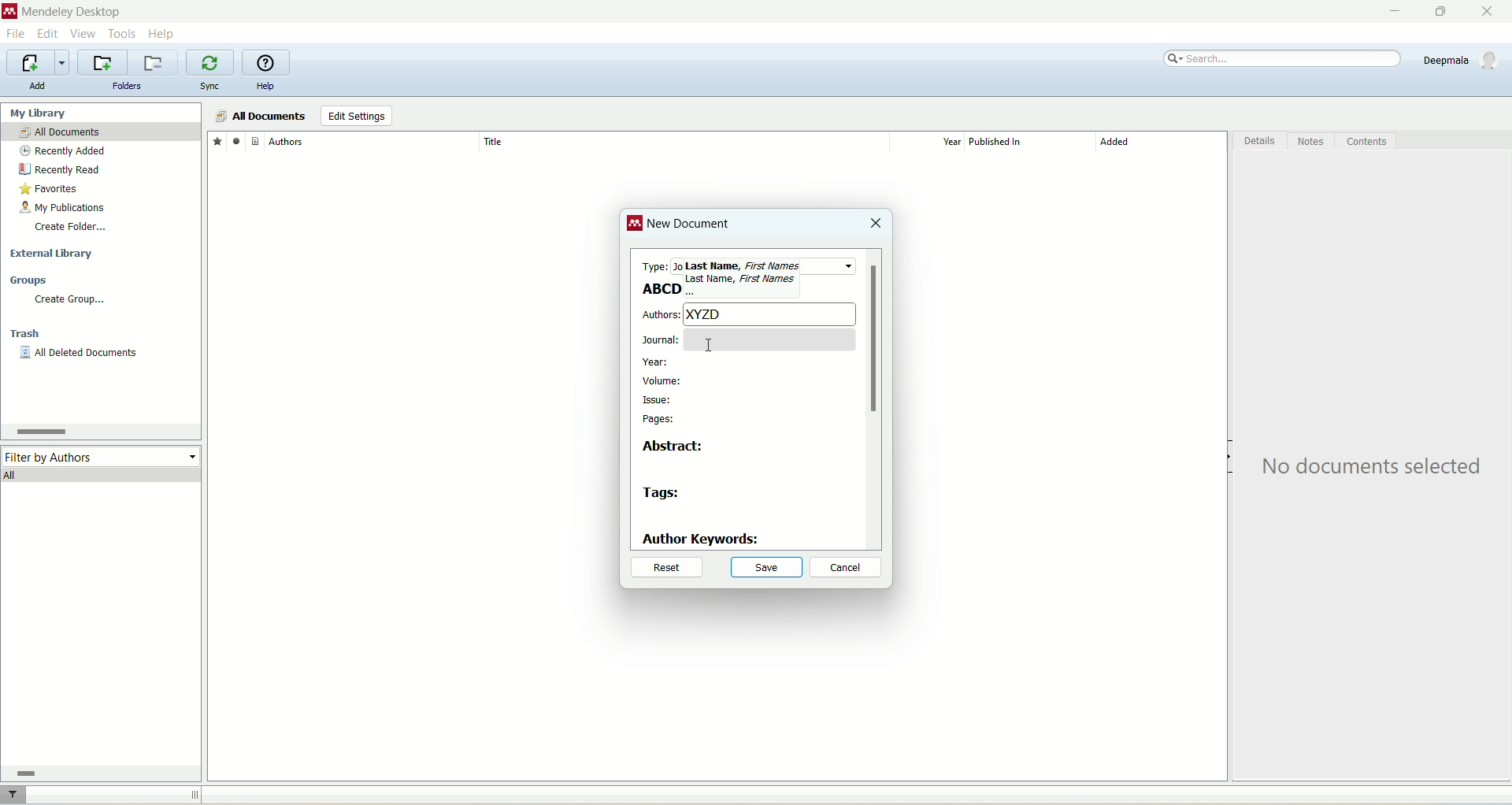 Image resolution: width=1512 pixels, height=805 pixels. I want to click on year, so click(932, 142).